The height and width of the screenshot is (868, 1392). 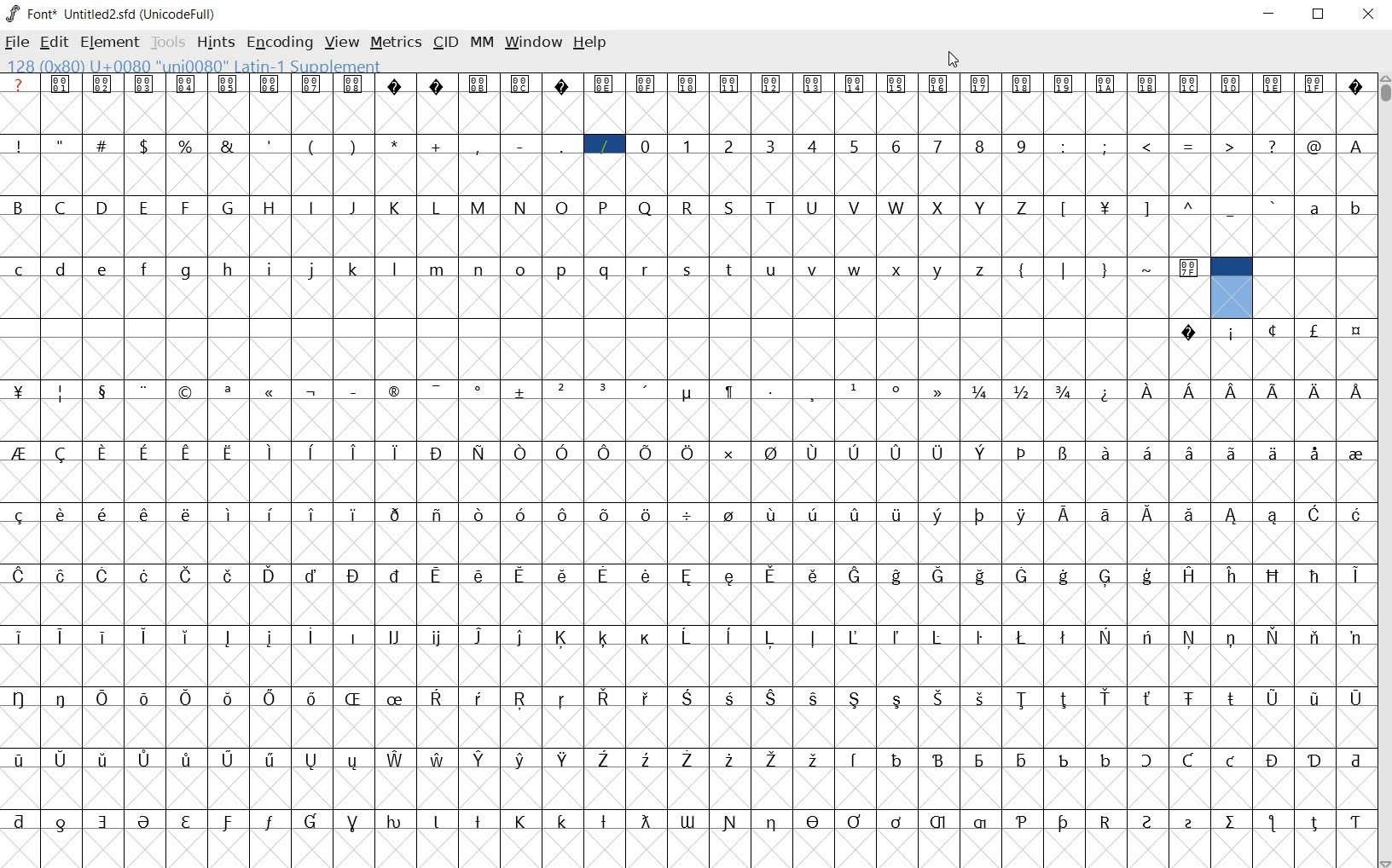 I want to click on Symbol, so click(x=1315, y=389).